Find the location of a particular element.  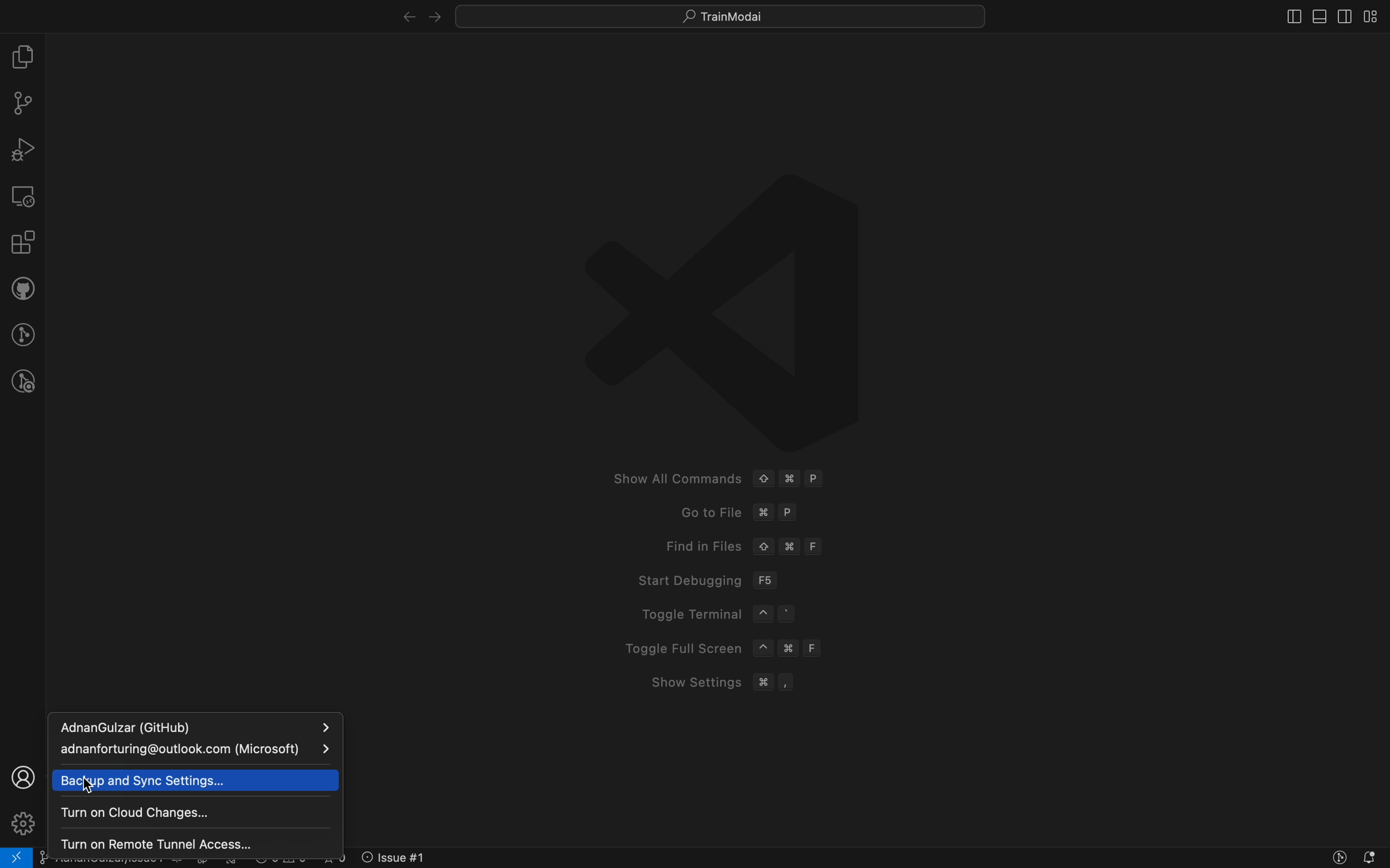

layouts is located at coordinates (1376, 17).